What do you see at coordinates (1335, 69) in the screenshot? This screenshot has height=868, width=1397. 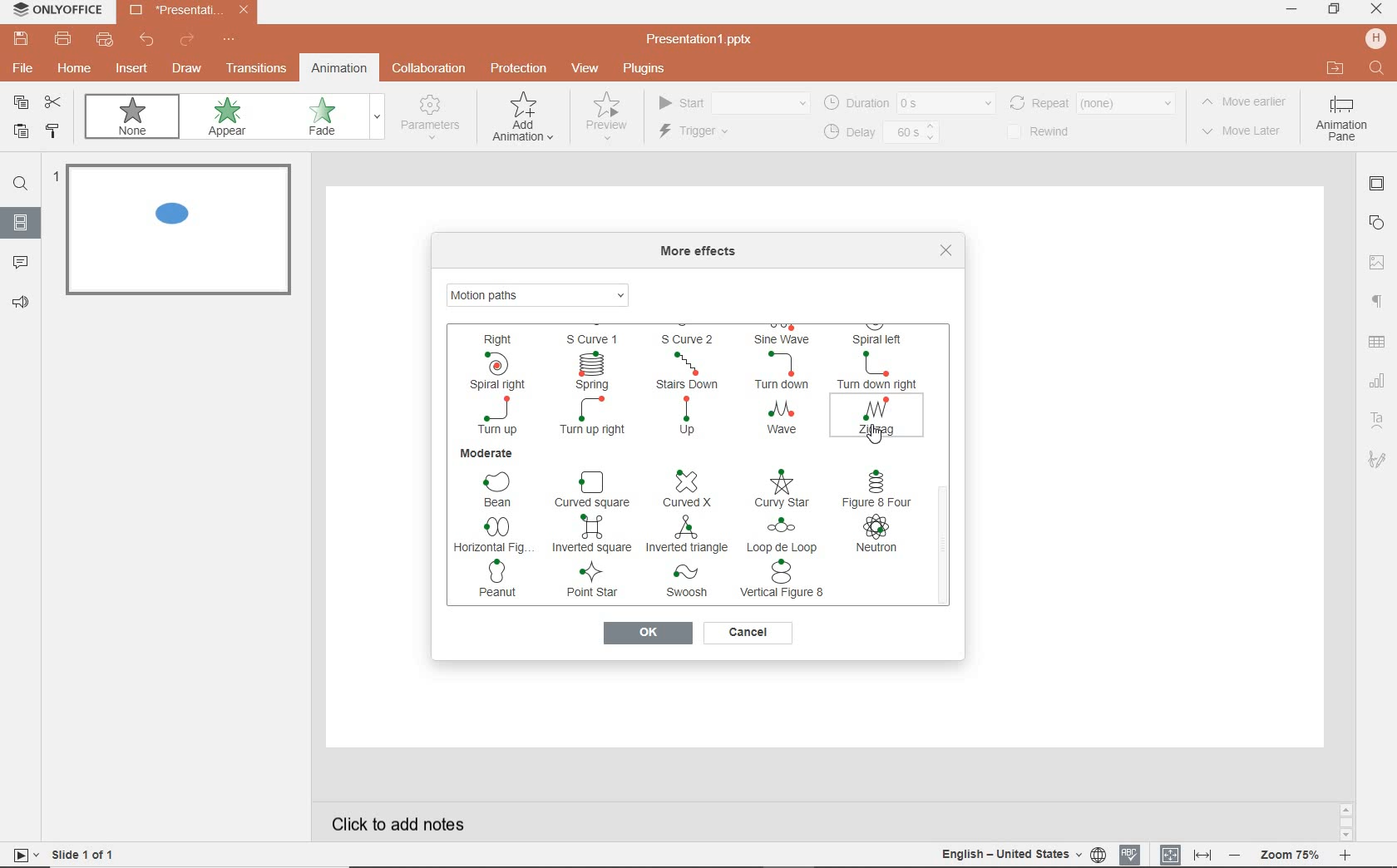 I see `OPEN FILE LOCATION` at bounding box center [1335, 69].